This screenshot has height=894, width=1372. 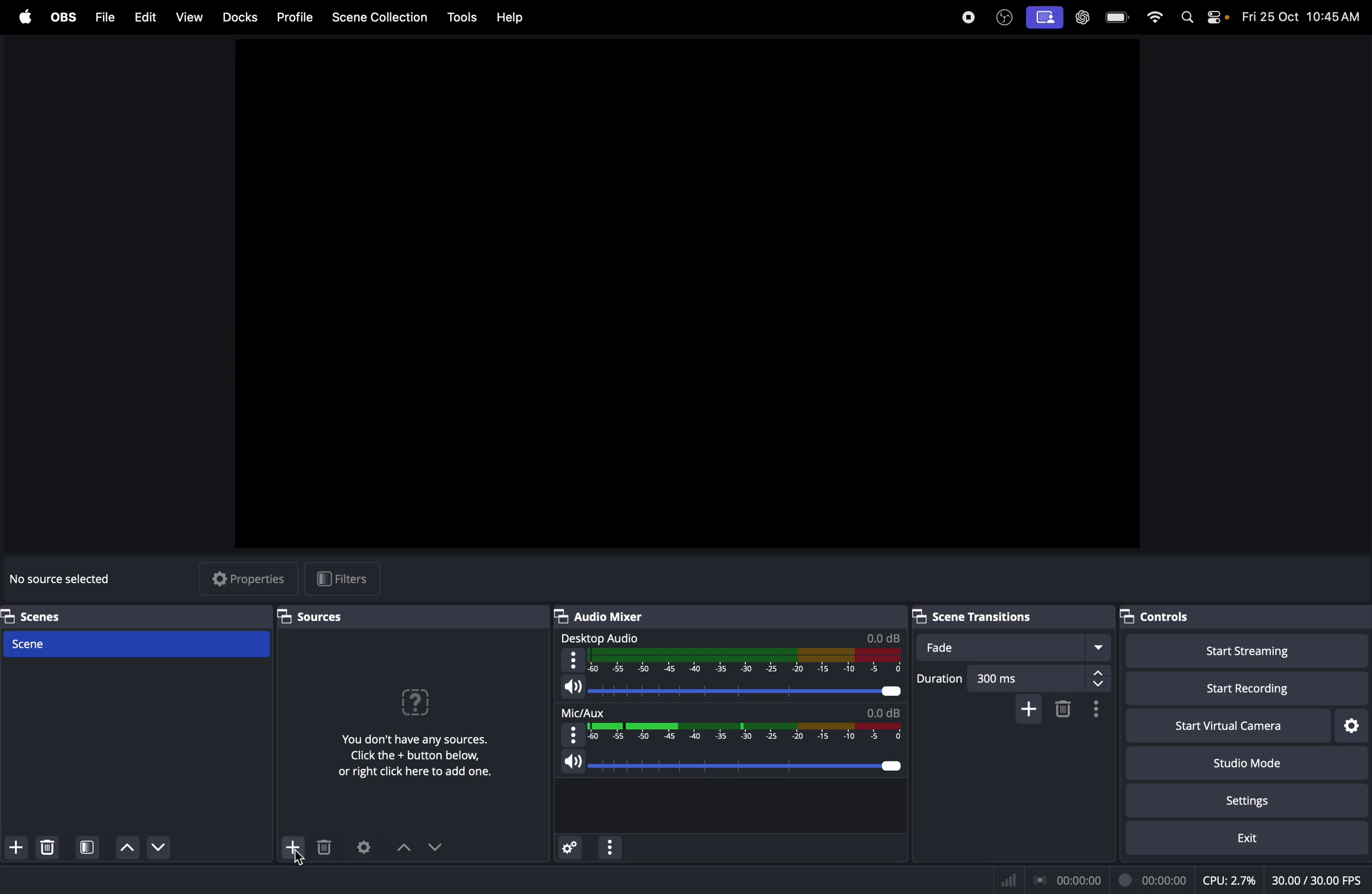 I want to click on Audio mixer, so click(x=603, y=617).